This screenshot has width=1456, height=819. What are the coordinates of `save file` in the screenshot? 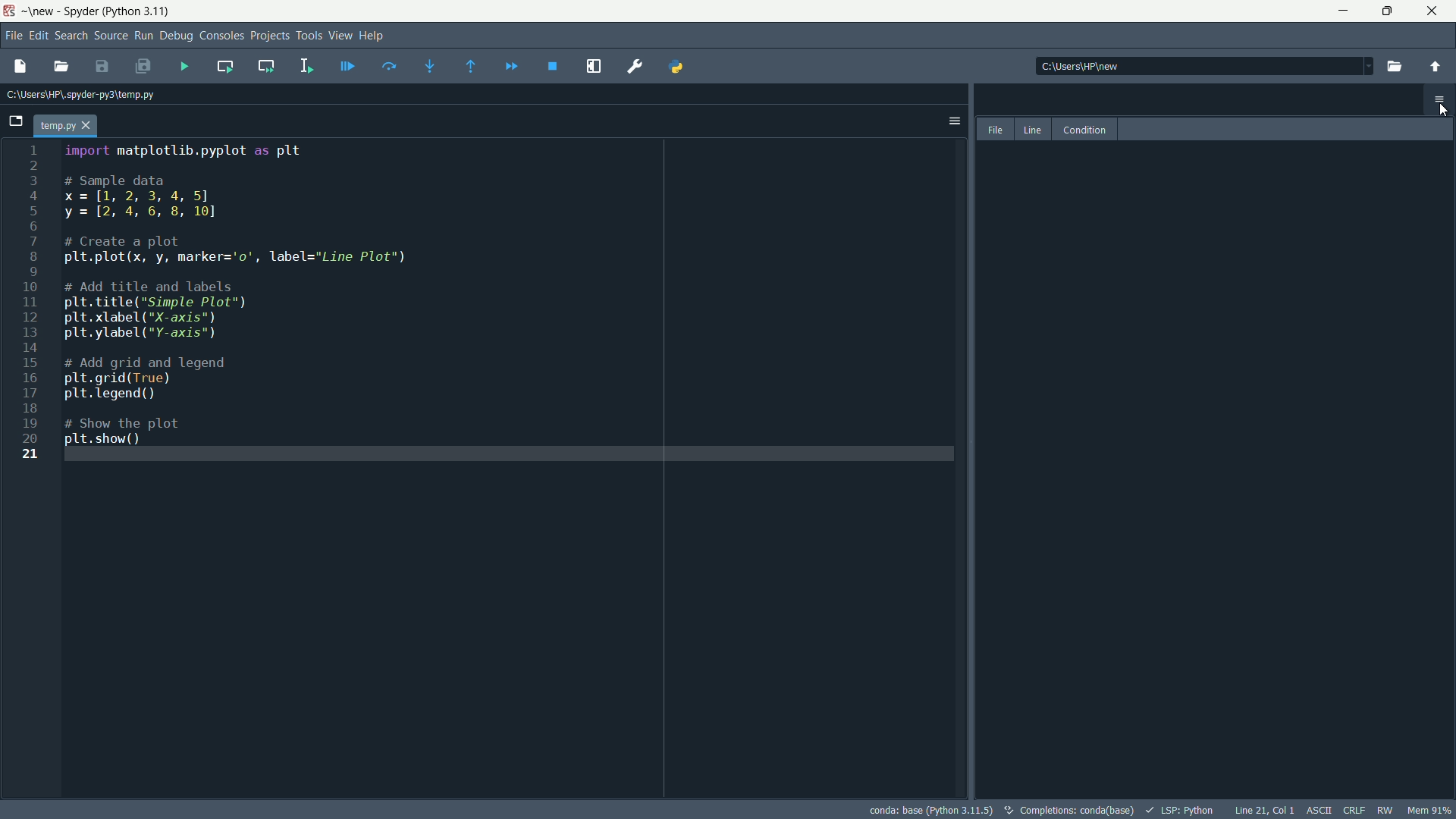 It's located at (102, 67).